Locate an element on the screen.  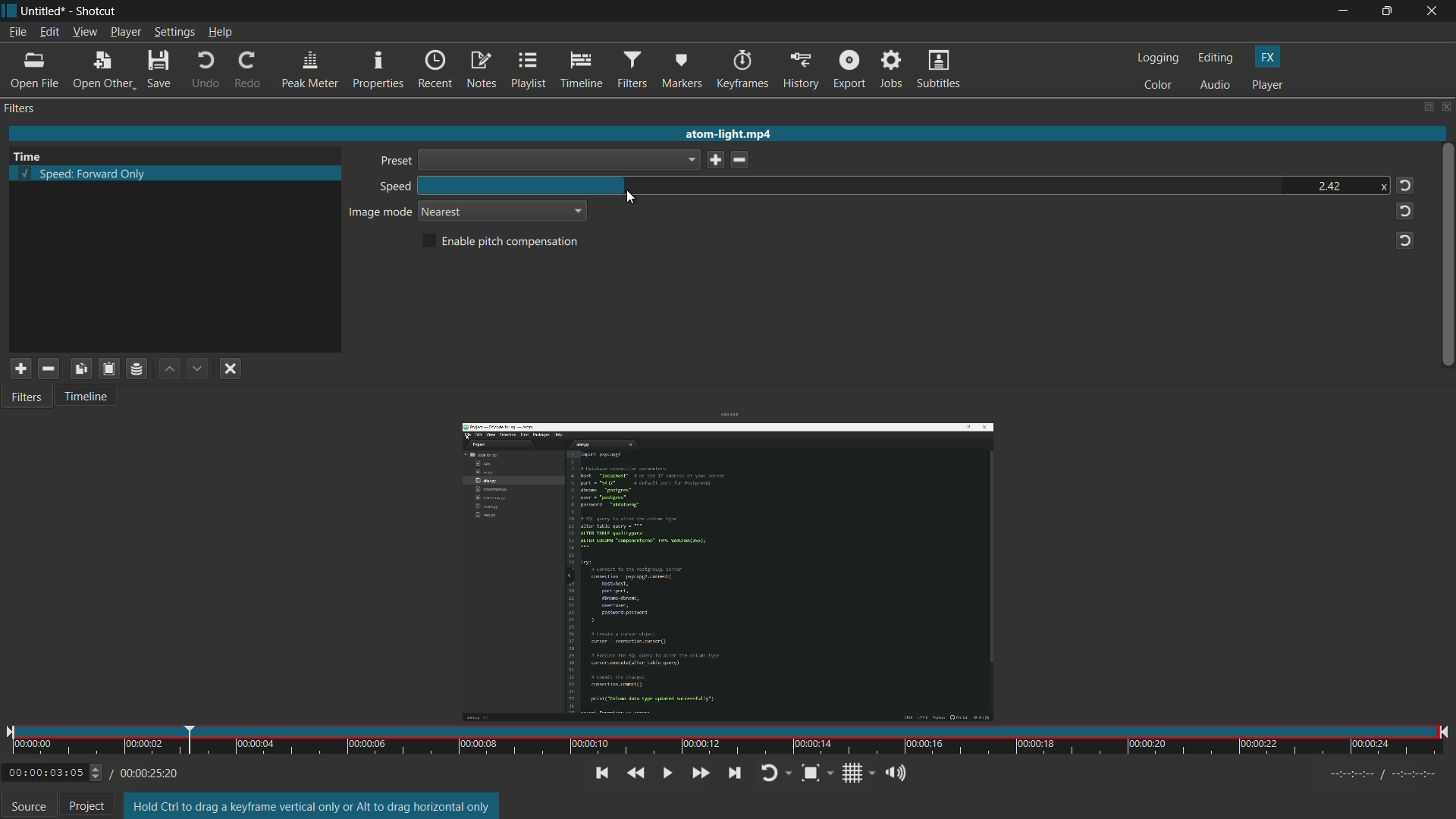
reset to default is located at coordinates (1404, 239).